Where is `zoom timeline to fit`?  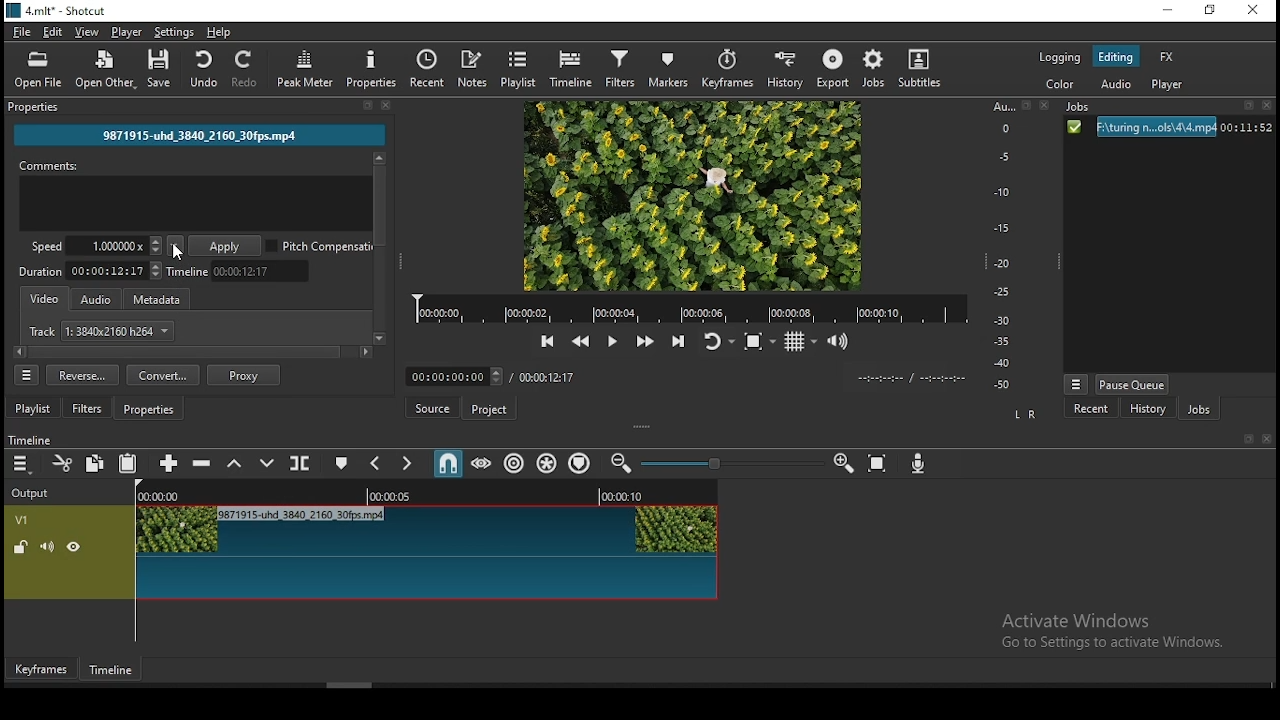
zoom timeline to fit is located at coordinates (876, 462).